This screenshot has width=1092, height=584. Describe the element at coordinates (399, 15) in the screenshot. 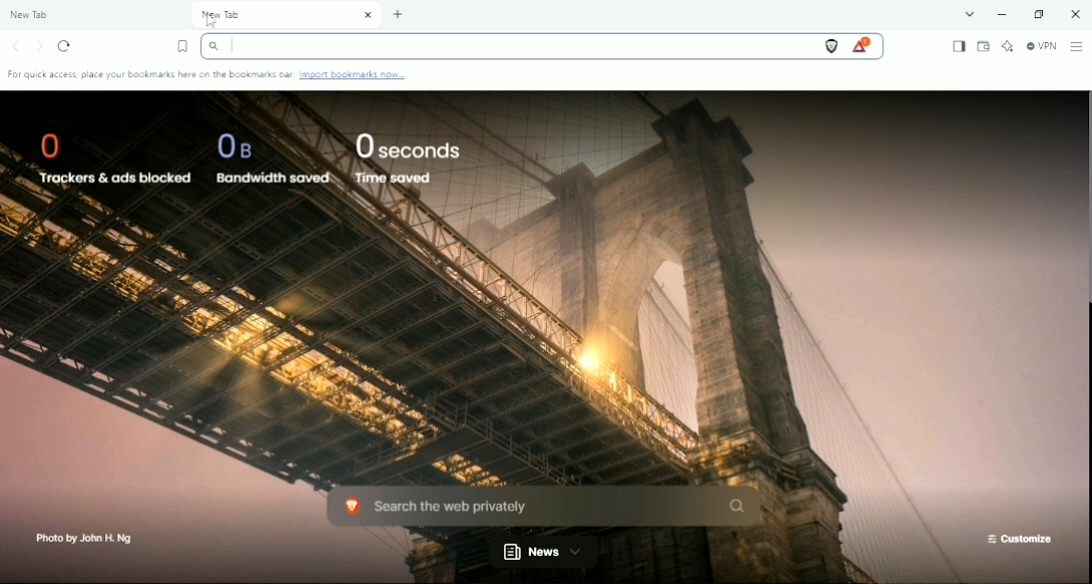

I see `New tab` at that location.